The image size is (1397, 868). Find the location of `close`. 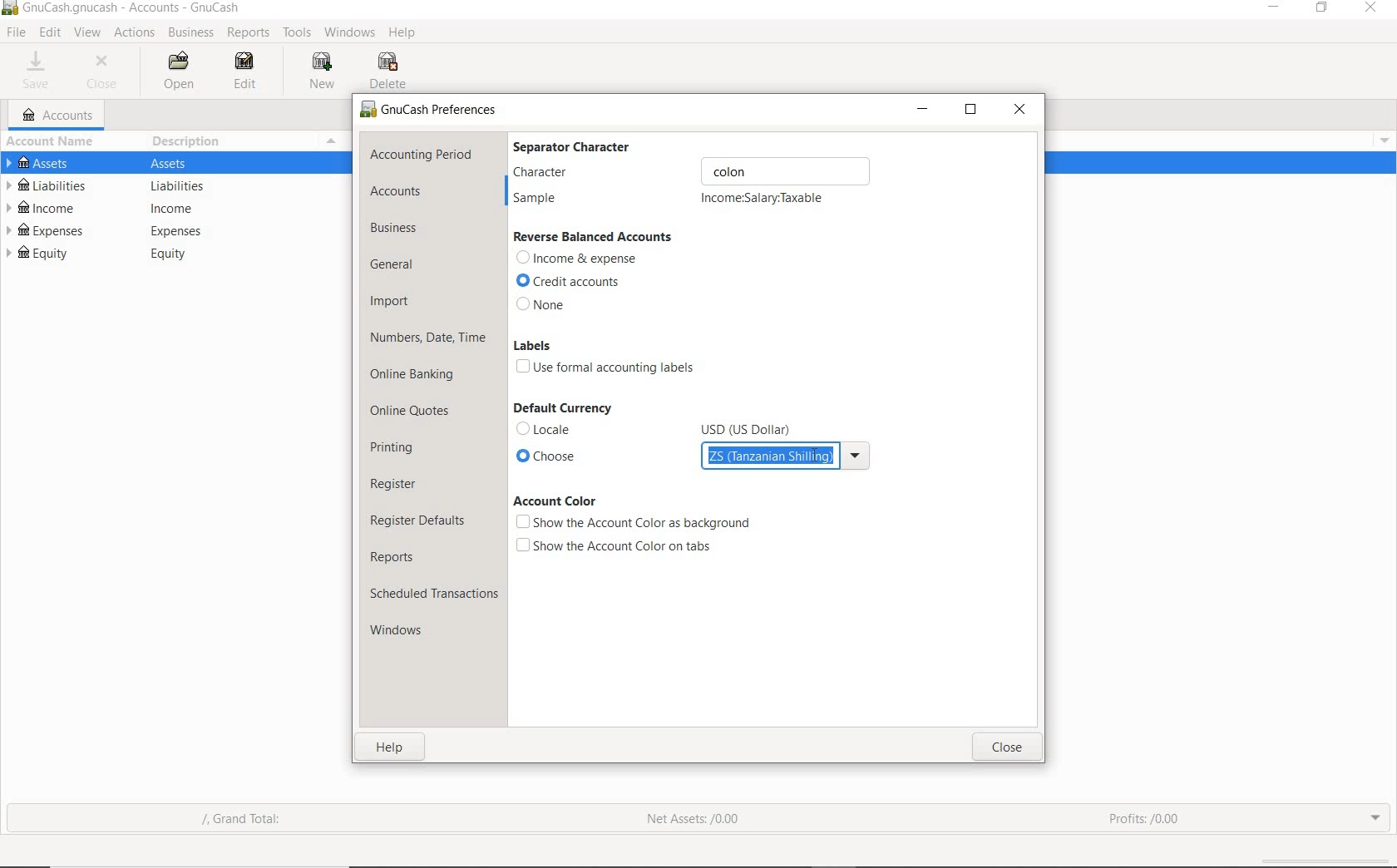

close is located at coordinates (1021, 108).